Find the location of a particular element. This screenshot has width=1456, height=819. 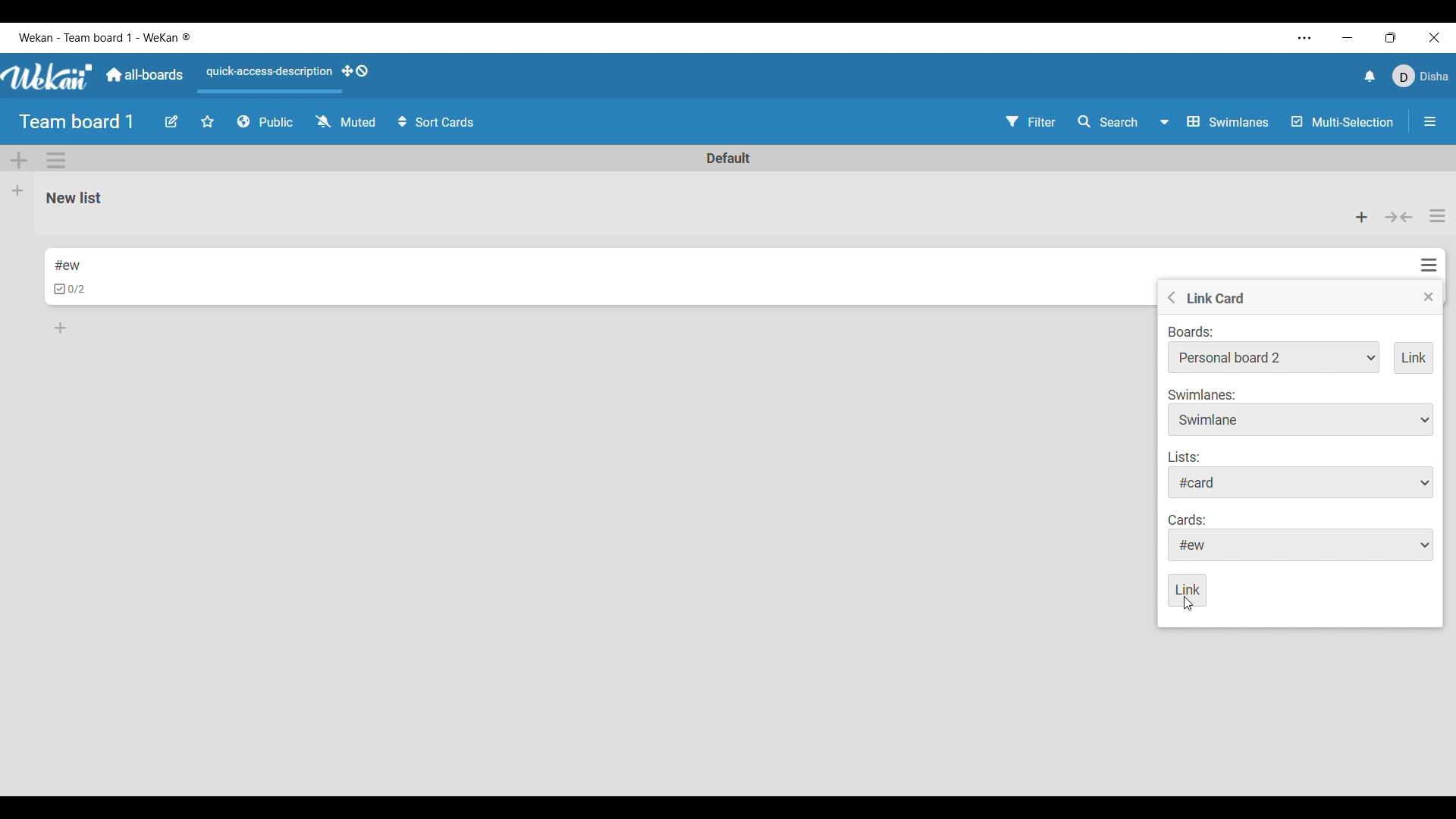

Add link is located at coordinates (1414, 358).